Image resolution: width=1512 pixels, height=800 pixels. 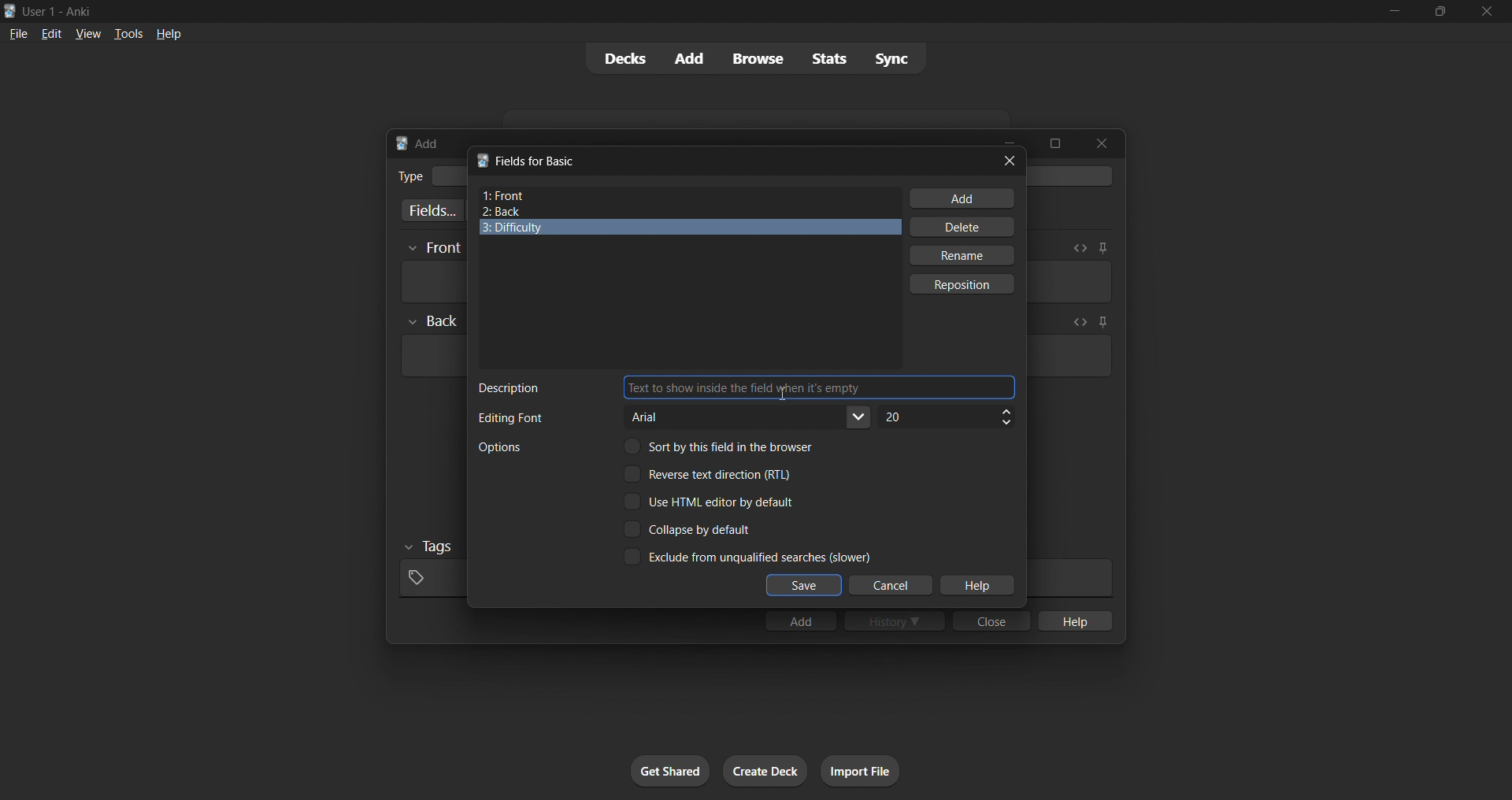 I want to click on field description, so click(x=819, y=387).